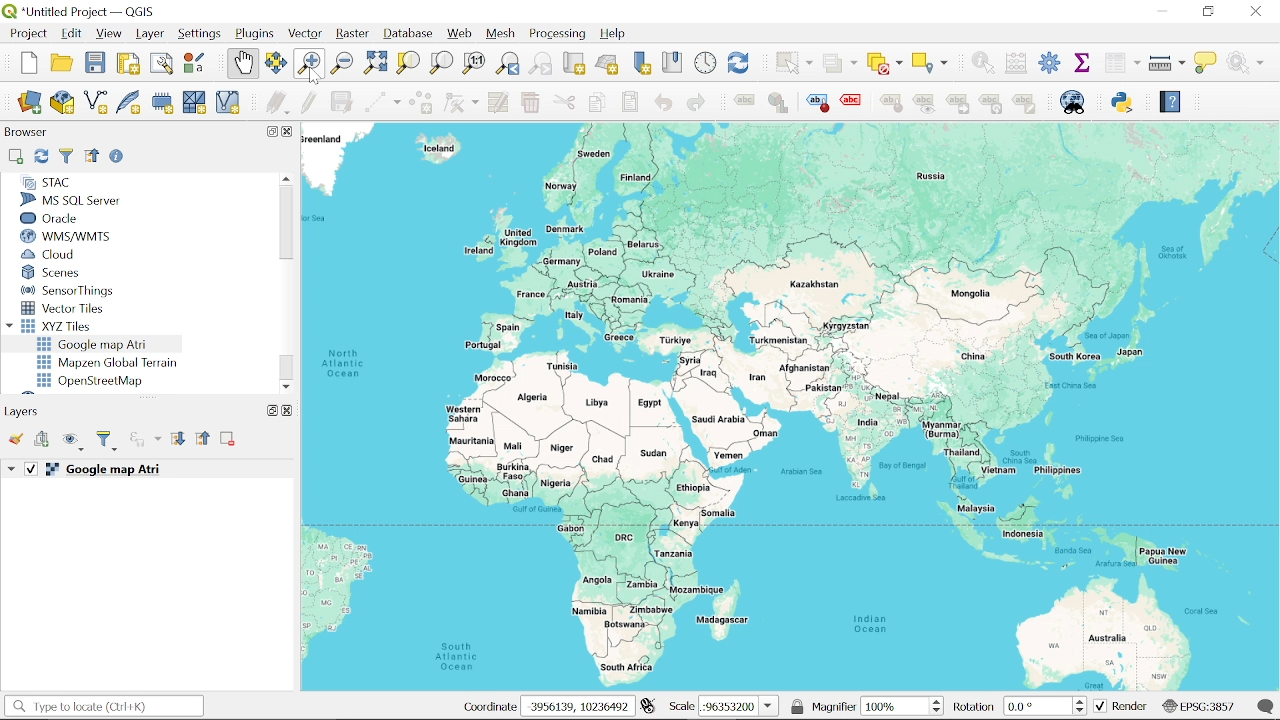 This screenshot has width=1280, height=720. What do you see at coordinates (92, 155) in the screenshot?
I see `Collapse all` at bounding box center [92, 155].